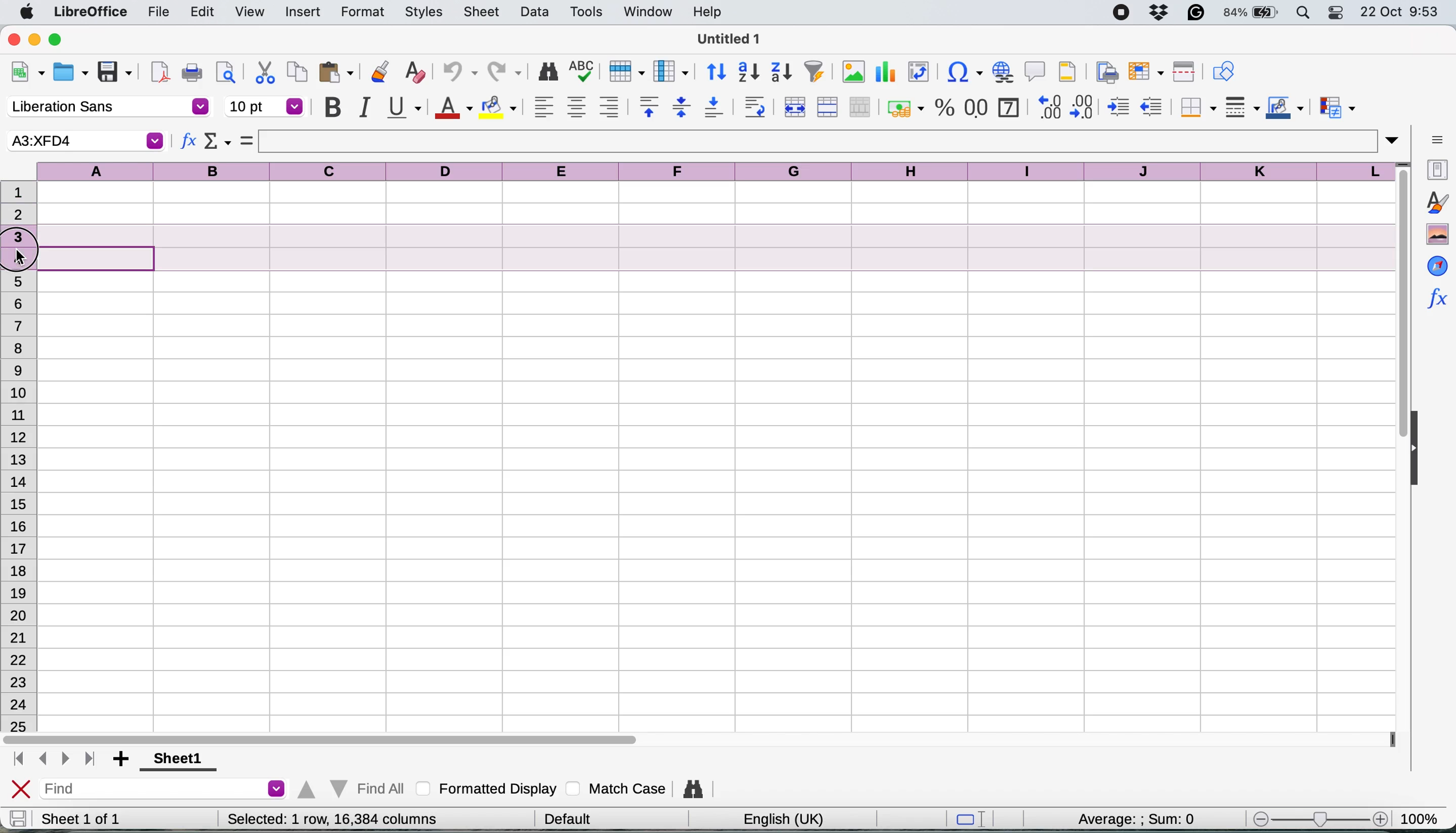  What do you see at coordinates (695, 789) in the screenshot?
I see `find and replace` at bounding box center [695, 789].